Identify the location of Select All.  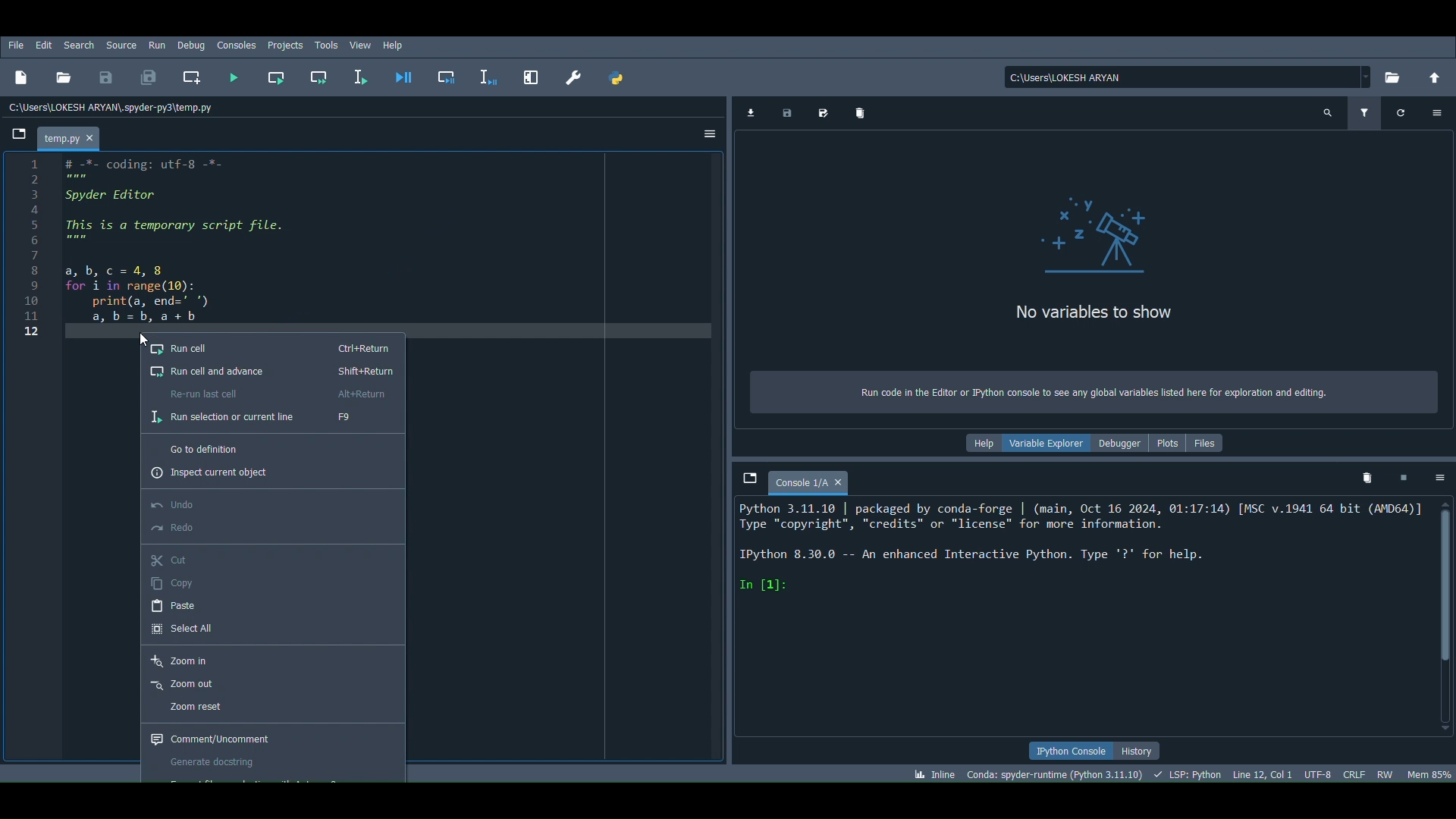
(263, 630).